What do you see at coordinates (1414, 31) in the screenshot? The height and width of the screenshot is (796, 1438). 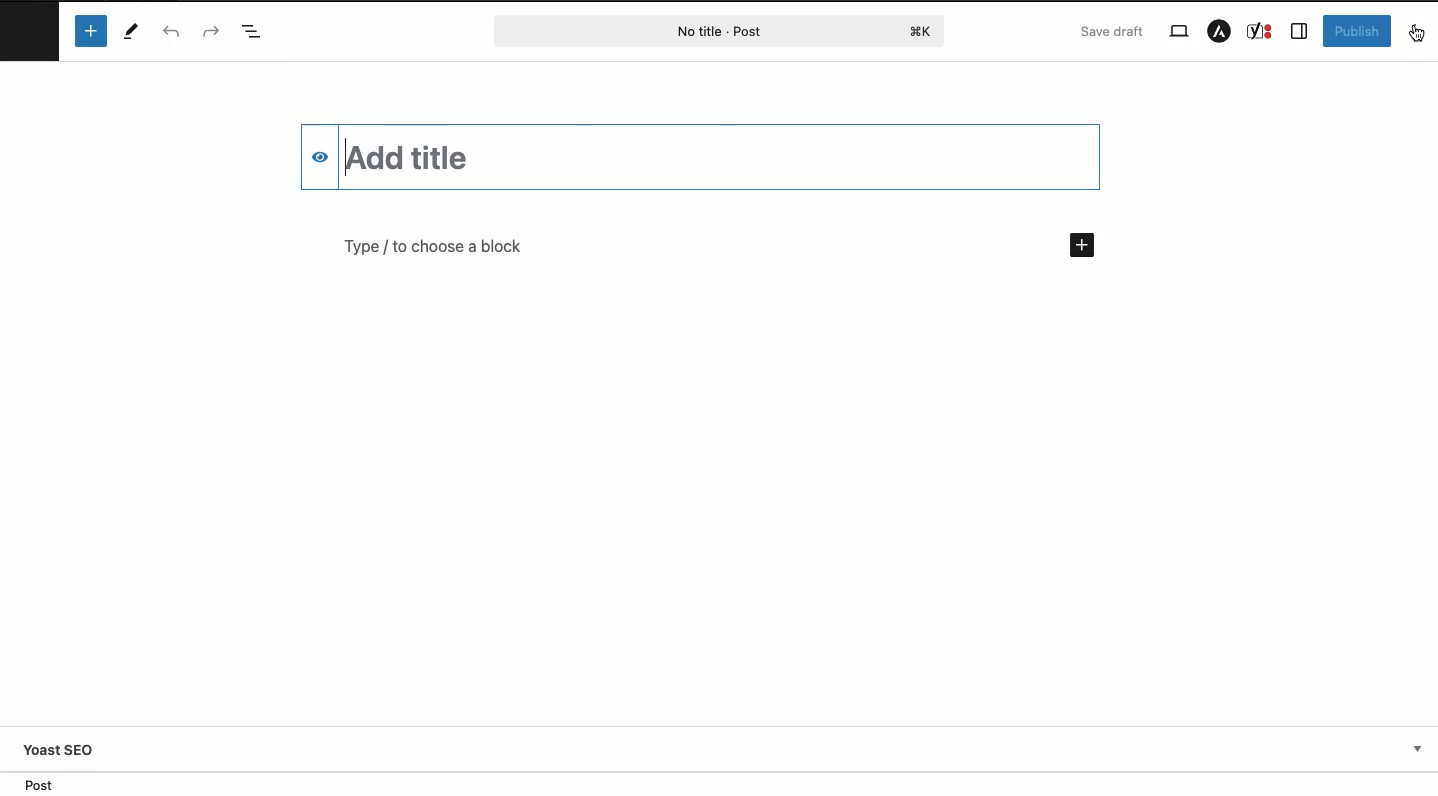 I see `Options` at bounding box center [1414, 31].